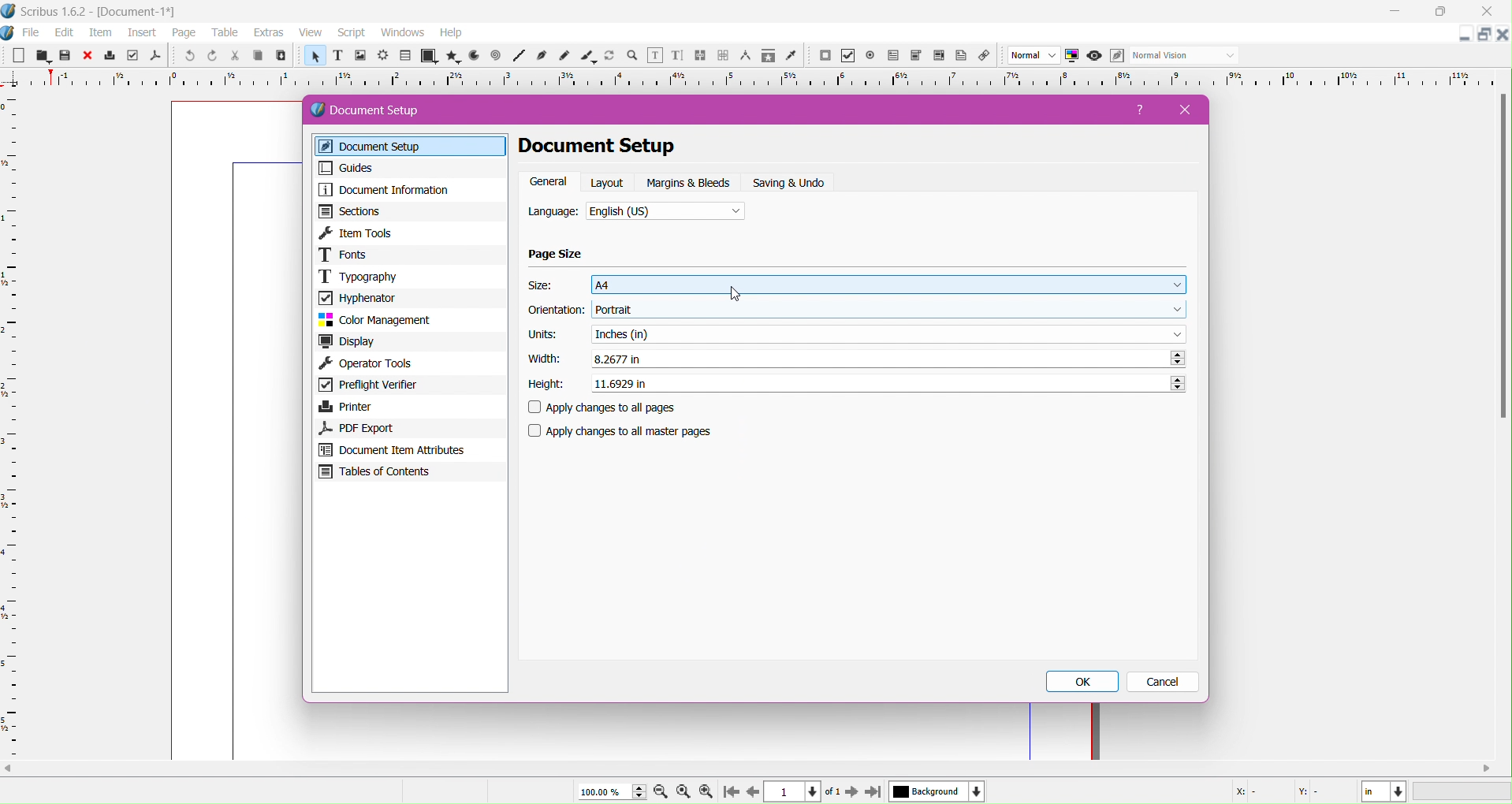 This screenshot has width=1512, height=804. What do you see at coordinates (662, 793) in the screenshot?
I see `zoom out` at bounding box center [662, 793].